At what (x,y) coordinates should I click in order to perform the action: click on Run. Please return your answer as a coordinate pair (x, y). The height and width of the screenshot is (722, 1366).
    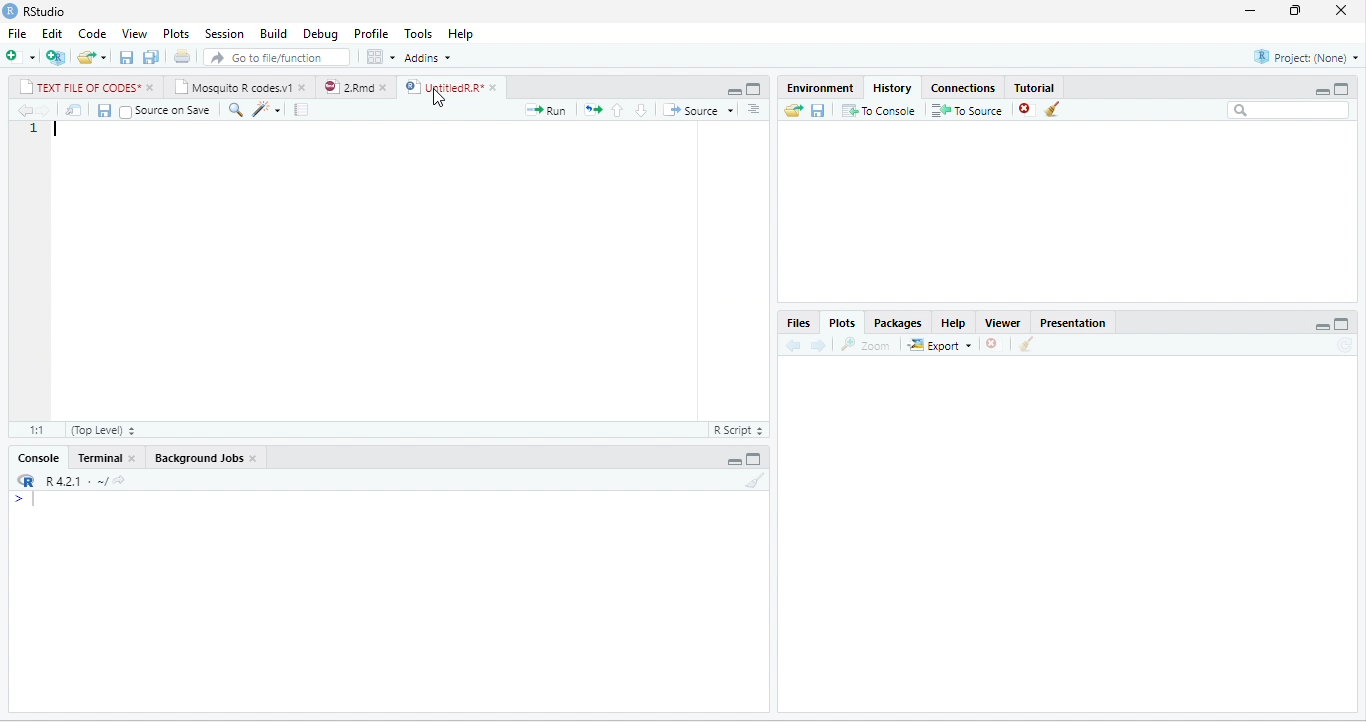
    Looking at the image, I should click on (545, 110).